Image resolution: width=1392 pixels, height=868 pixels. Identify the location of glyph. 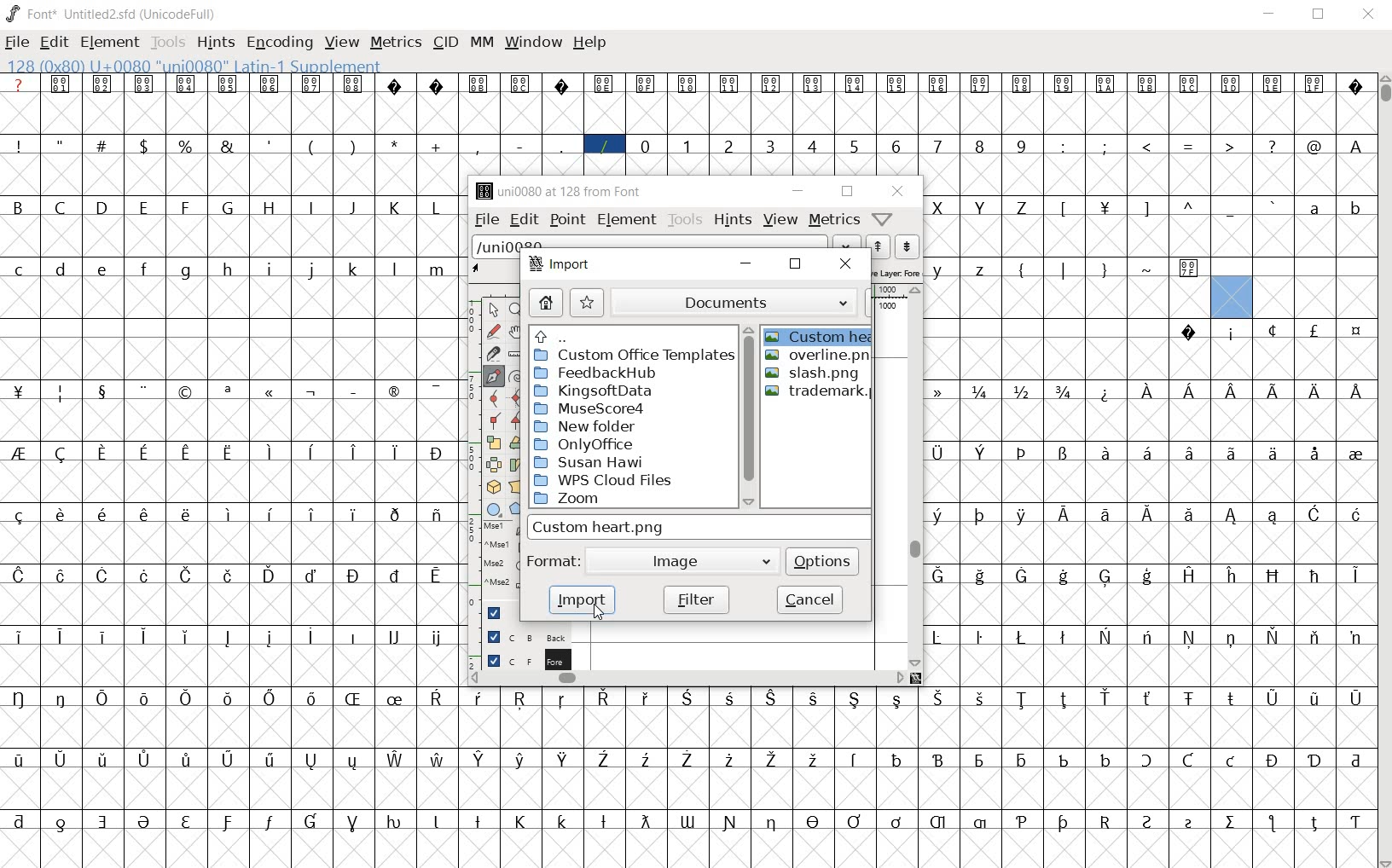
(185, 207).